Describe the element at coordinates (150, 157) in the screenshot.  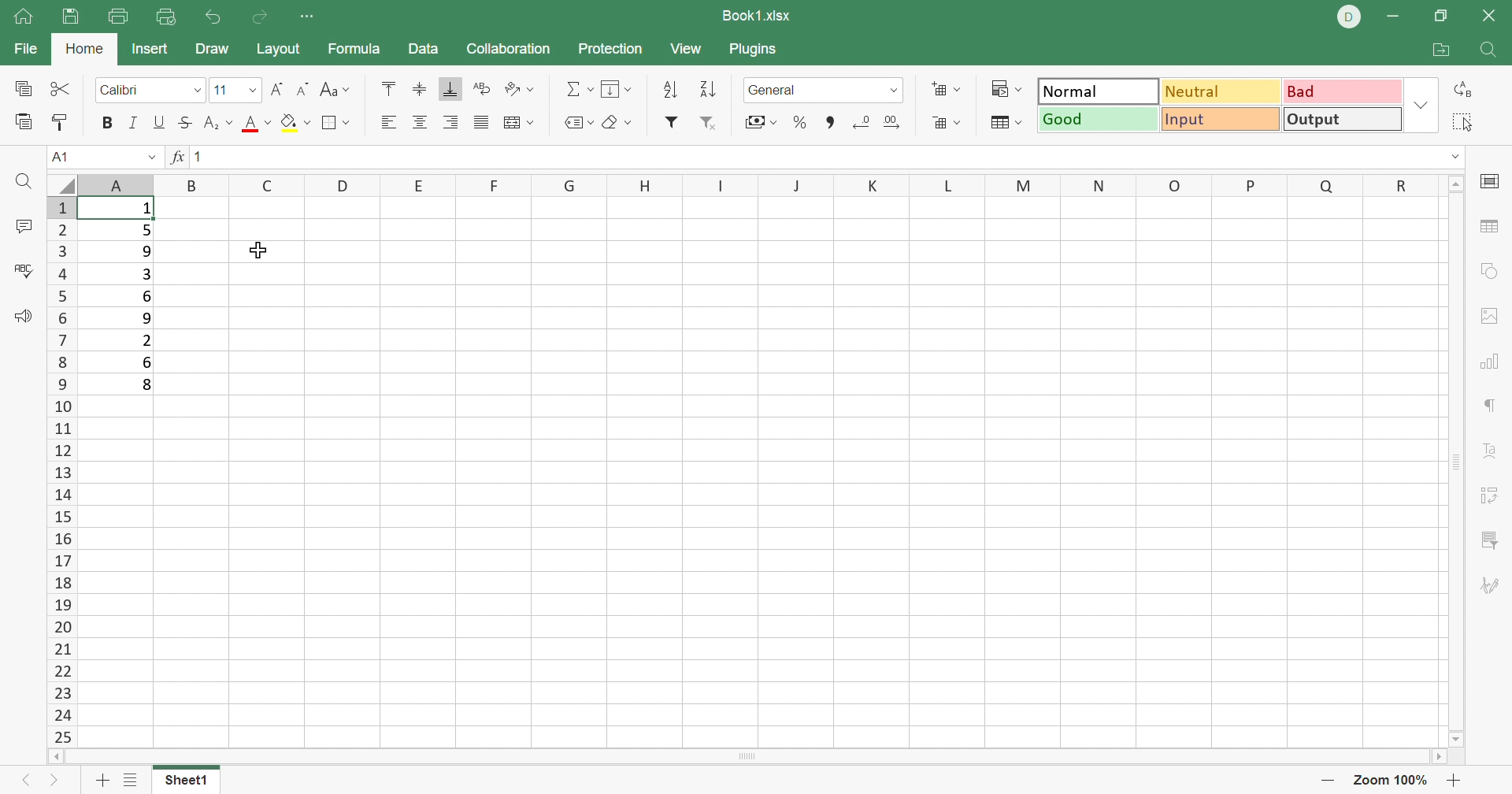
I see `Drop Down` at that location.